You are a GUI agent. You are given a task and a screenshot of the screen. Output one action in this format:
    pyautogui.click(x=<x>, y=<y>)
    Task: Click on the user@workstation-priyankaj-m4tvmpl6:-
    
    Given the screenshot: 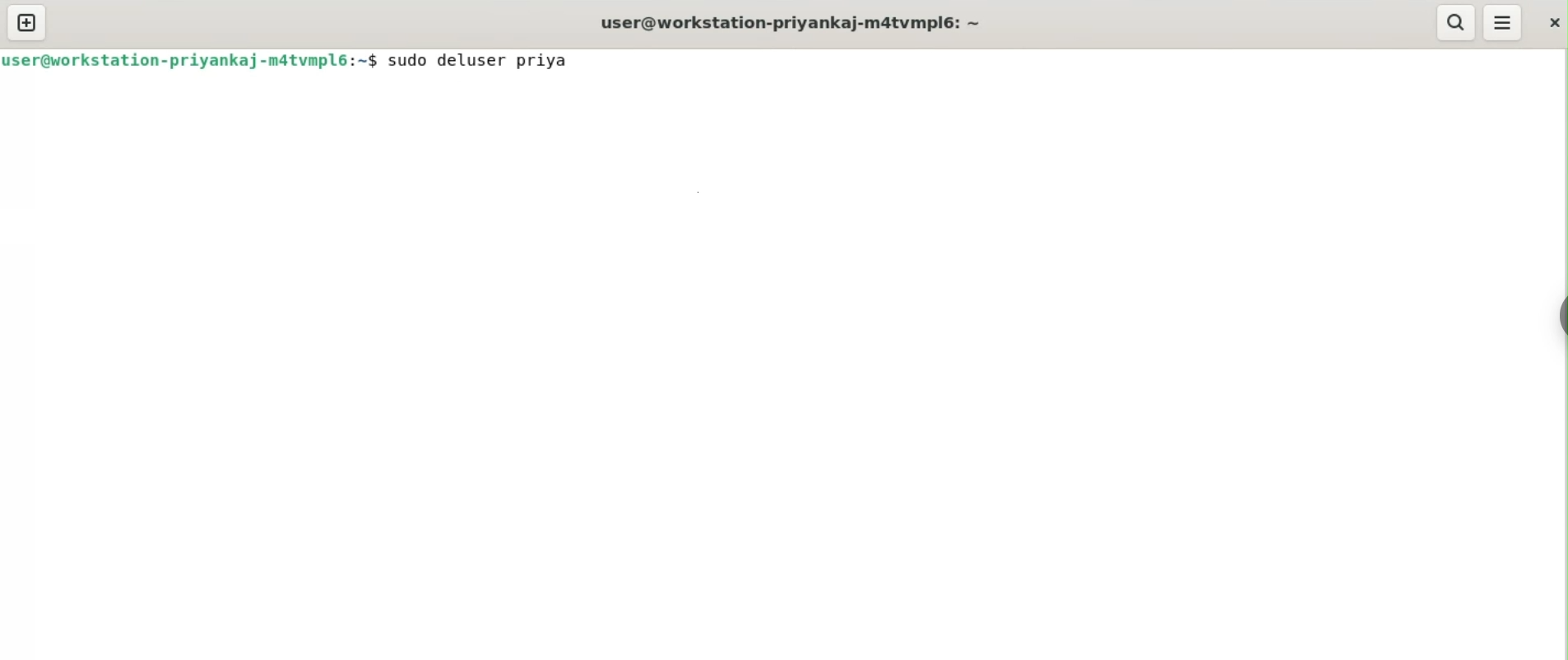 What is the action you would take?
    pyautogui.click(x=181, y=61)
    